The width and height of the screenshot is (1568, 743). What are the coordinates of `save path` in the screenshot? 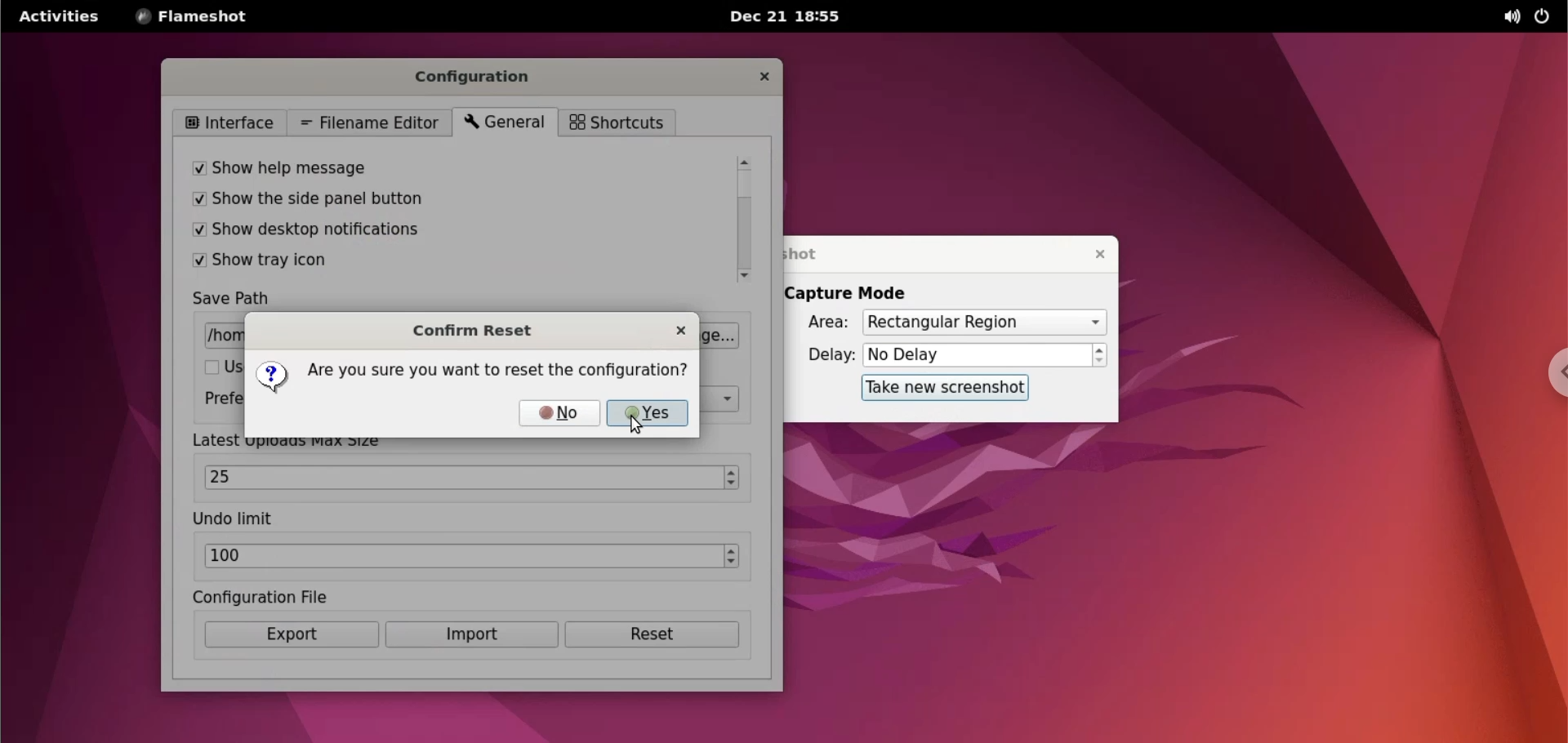 It's located at (242, 300).